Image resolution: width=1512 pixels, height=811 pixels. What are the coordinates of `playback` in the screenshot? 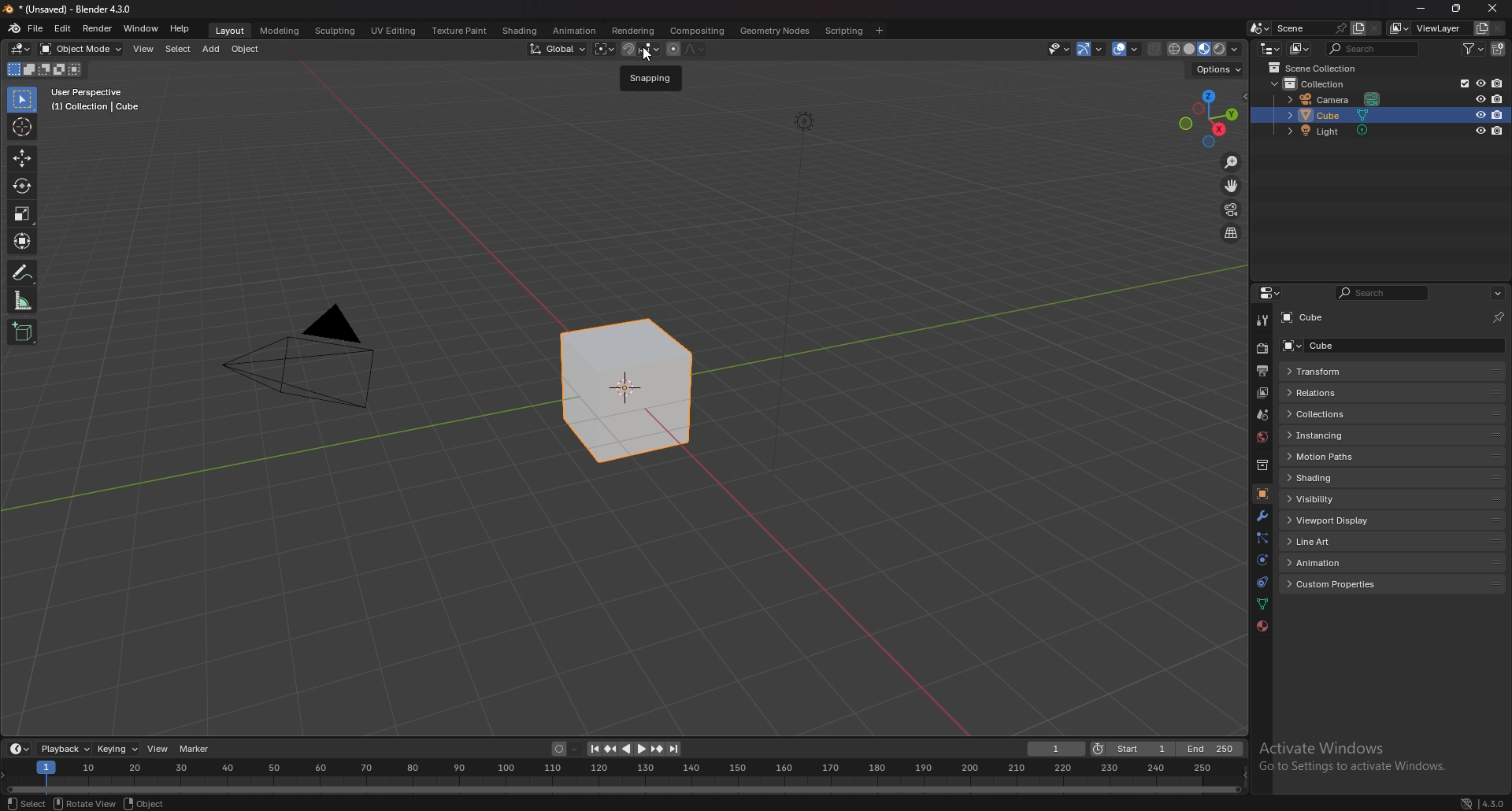 It's located at (65, 748).